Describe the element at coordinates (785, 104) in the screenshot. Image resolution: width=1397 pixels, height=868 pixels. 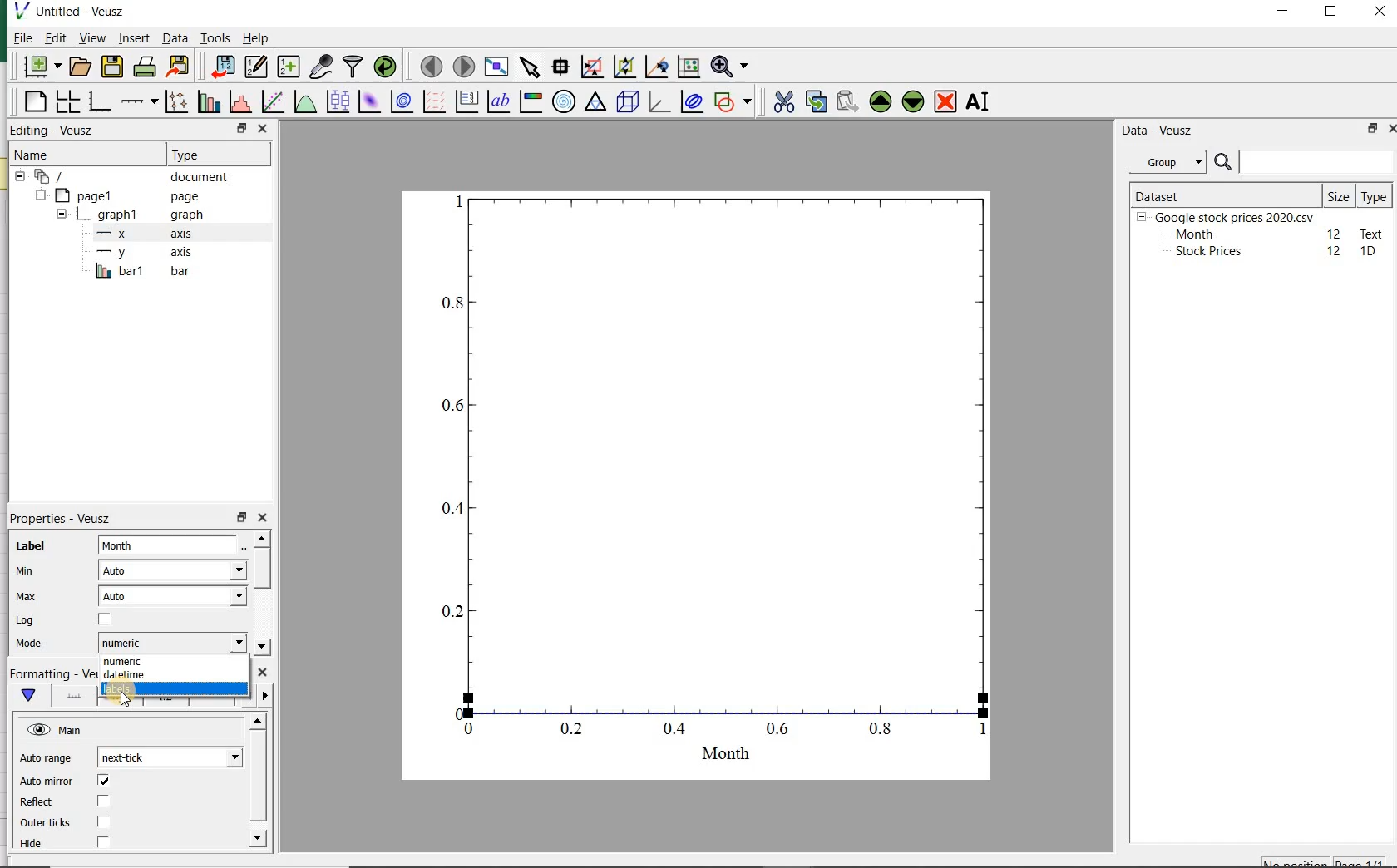
I see `cut the selected widget` at that location.